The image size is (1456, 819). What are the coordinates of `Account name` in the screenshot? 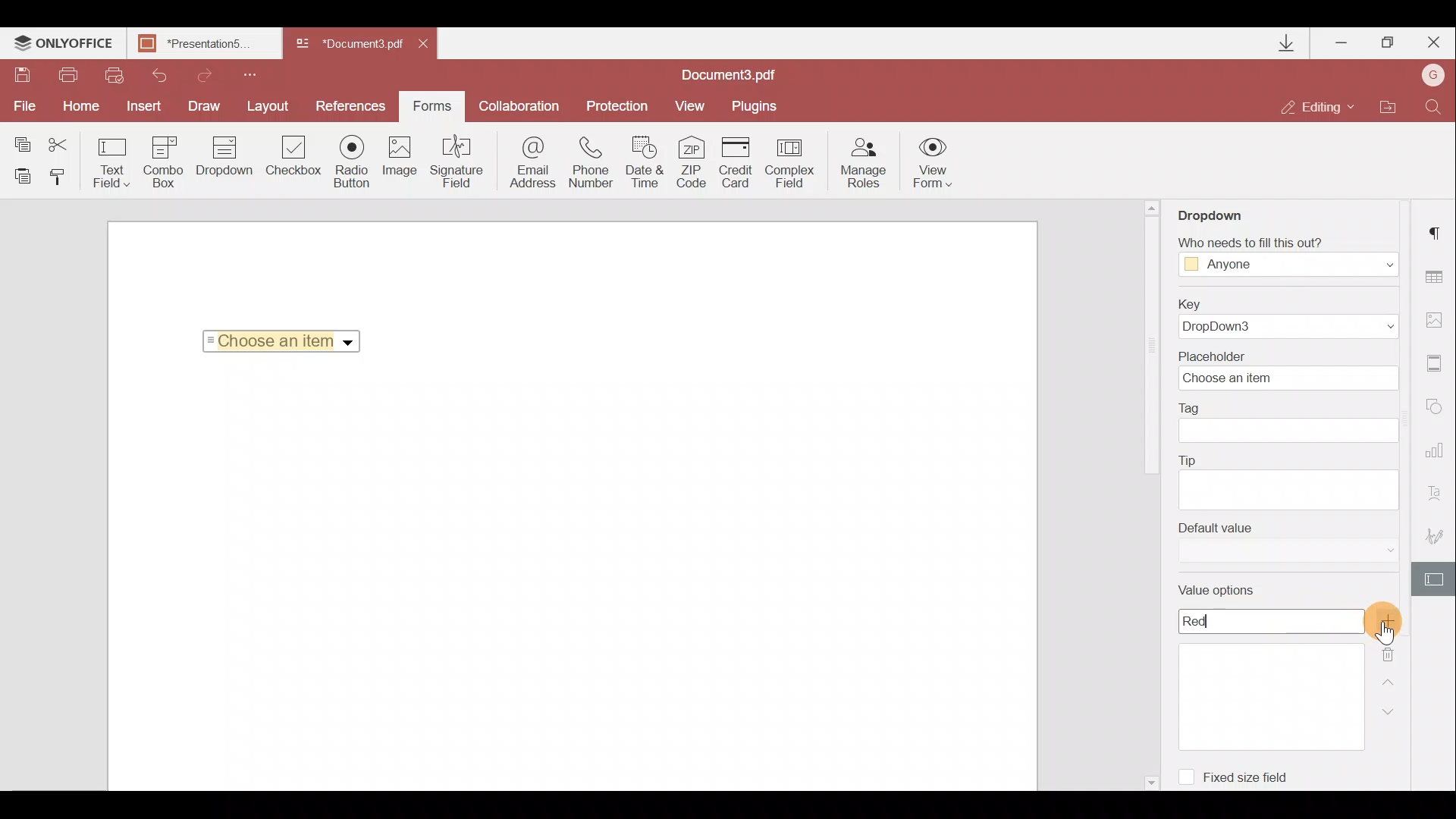 It's located at (1433, 74).